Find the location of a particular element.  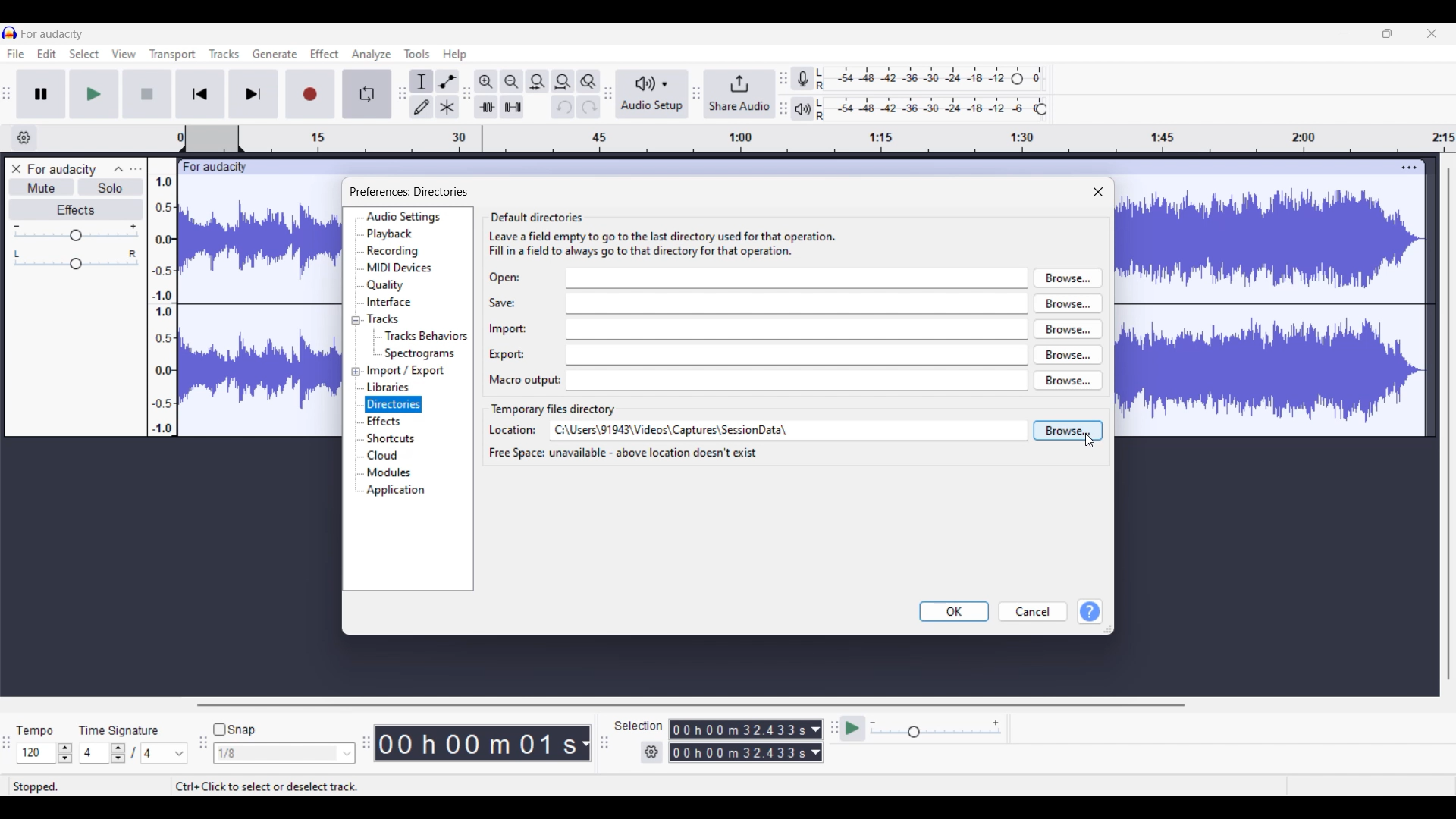

Fit selection to width is located at coordinates (538, 81).